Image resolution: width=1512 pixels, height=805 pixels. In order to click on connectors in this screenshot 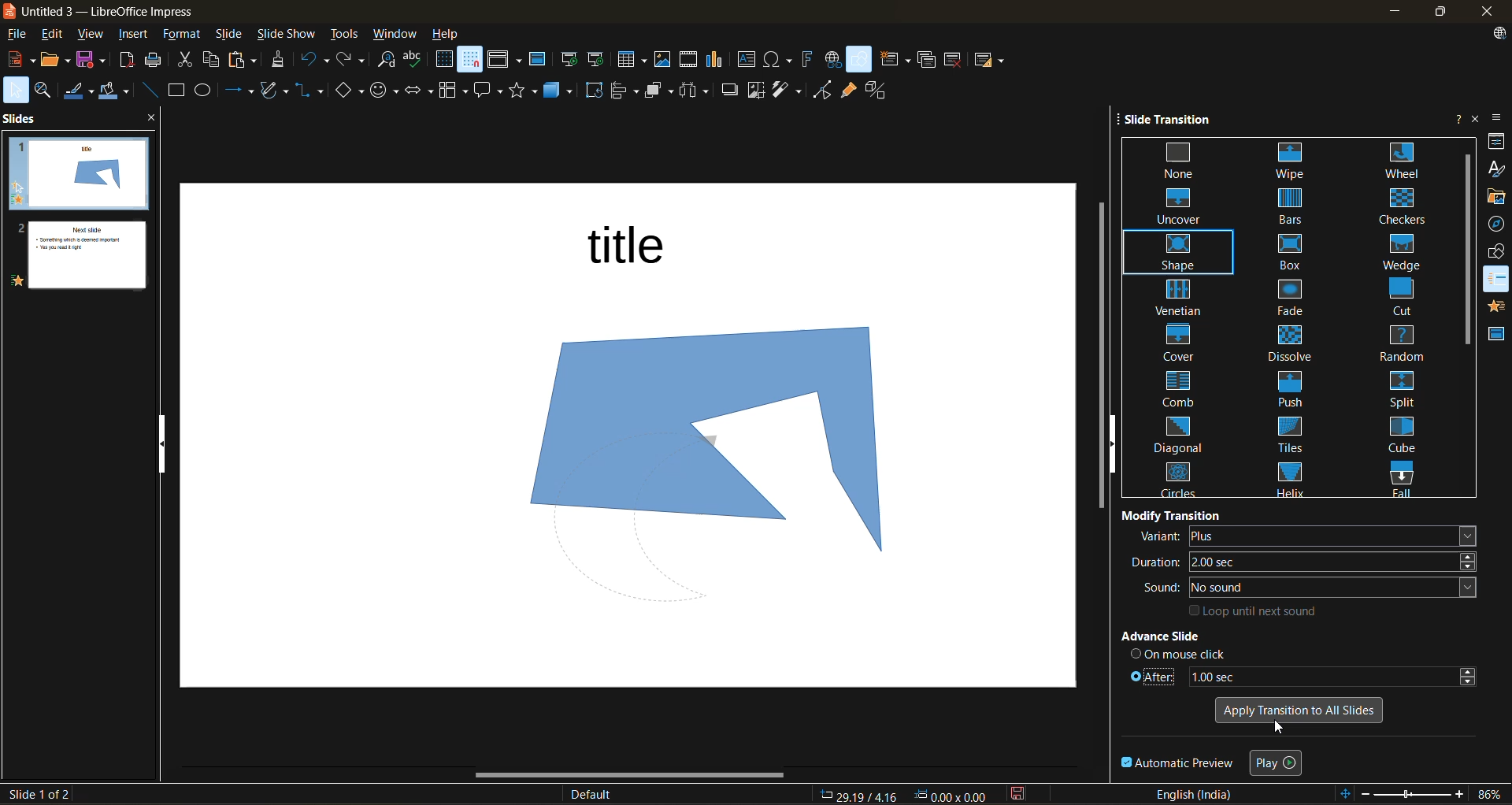, I will do `click(310, 90)`.